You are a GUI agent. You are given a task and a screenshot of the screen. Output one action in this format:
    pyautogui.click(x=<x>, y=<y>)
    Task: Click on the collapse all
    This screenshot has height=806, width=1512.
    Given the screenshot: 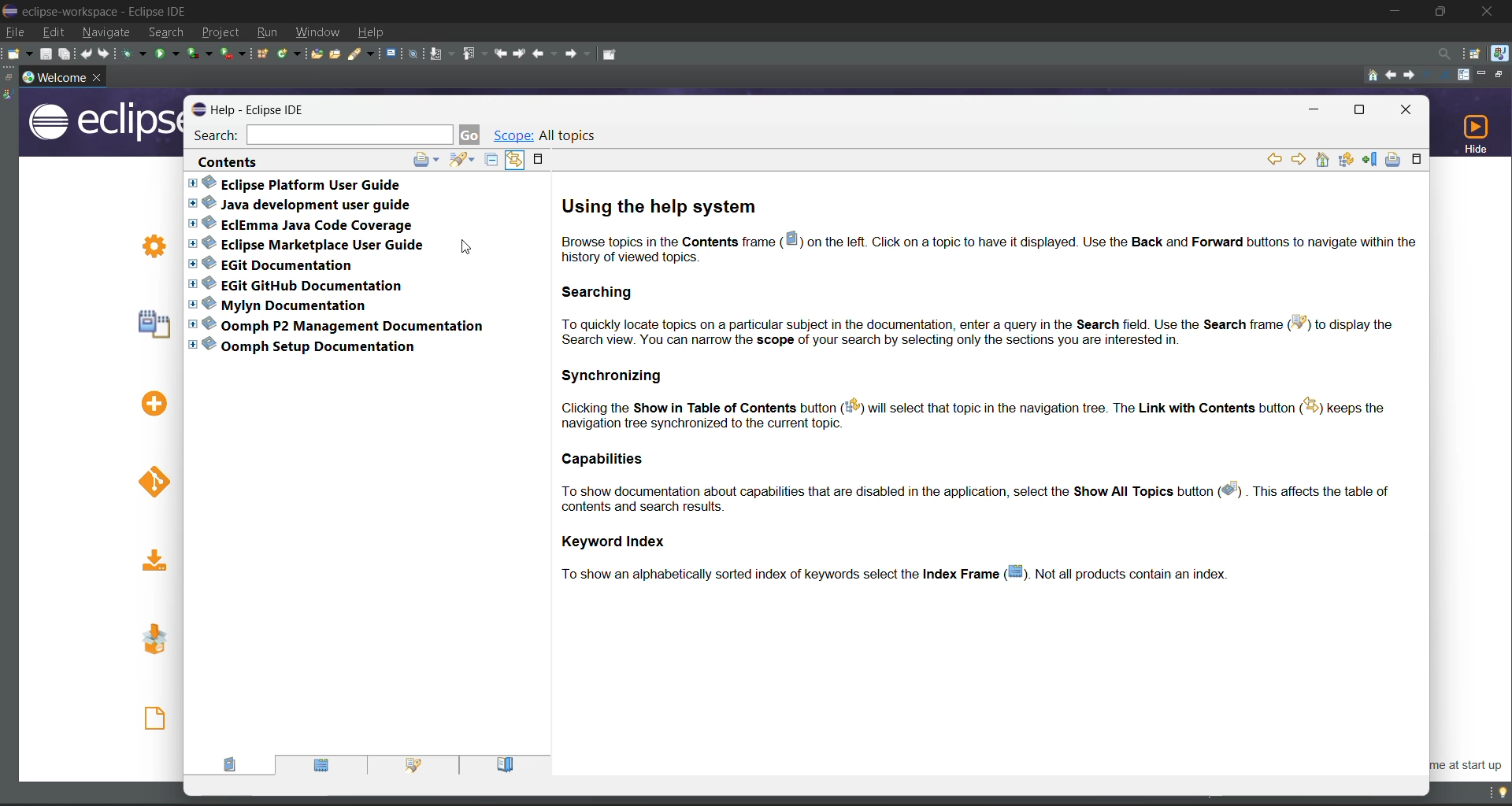 What is the action you would take?
    pyautogui.click(x=491, y=158)
    